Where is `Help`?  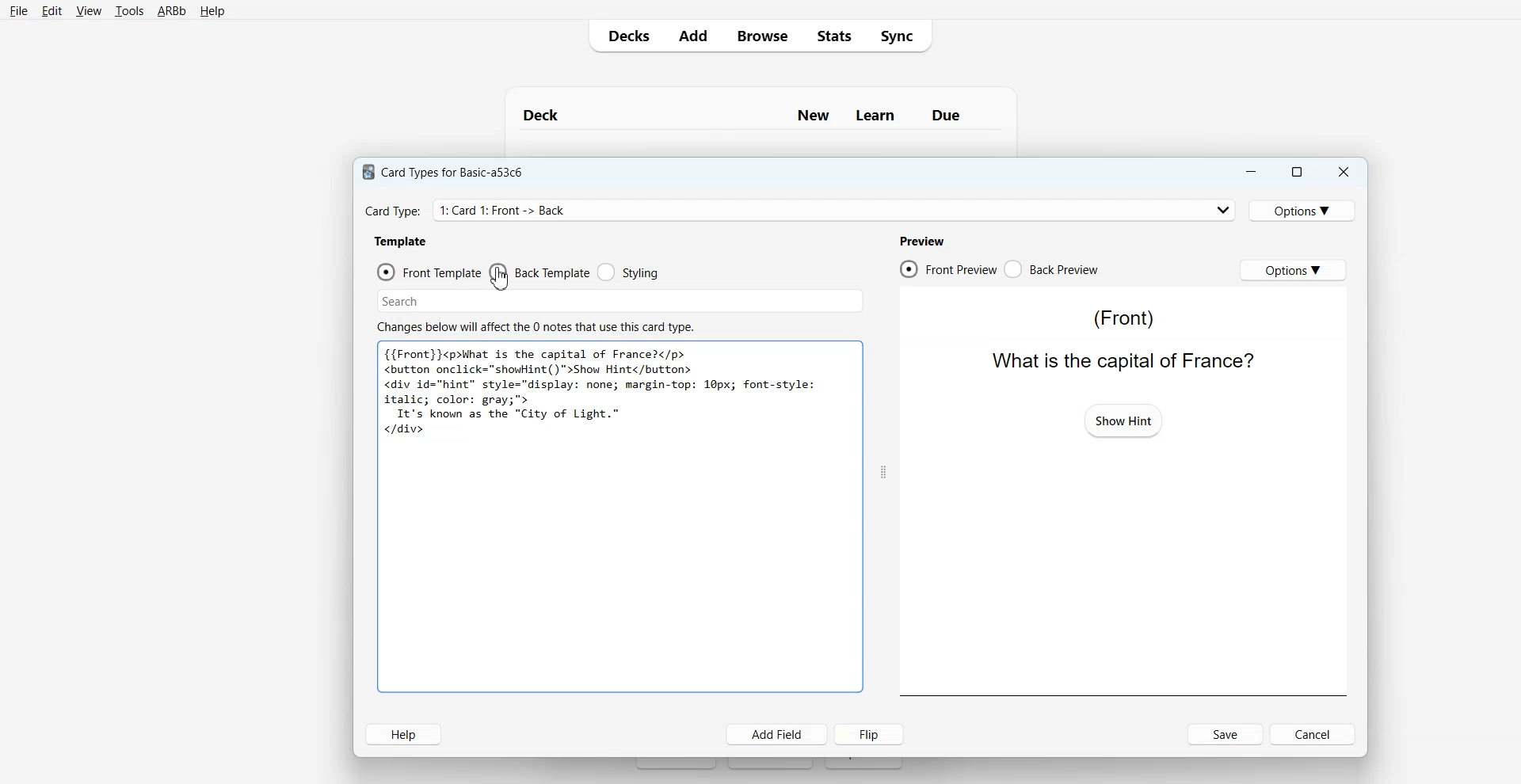
Help is located at coordinates (403, 734).